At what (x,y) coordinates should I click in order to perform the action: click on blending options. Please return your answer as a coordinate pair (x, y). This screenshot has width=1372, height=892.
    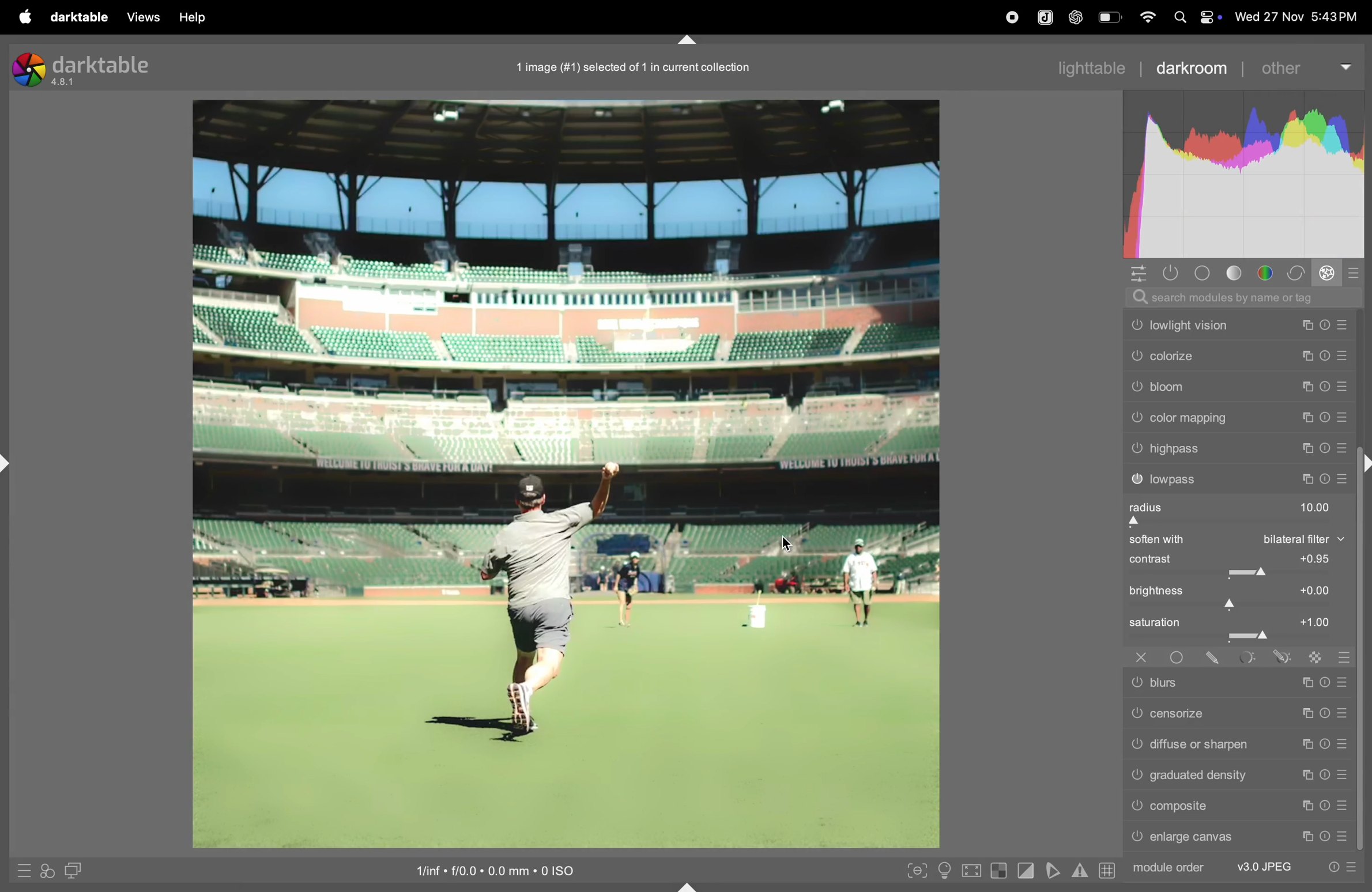
    Looking at the image, I should click on (1345, 658).